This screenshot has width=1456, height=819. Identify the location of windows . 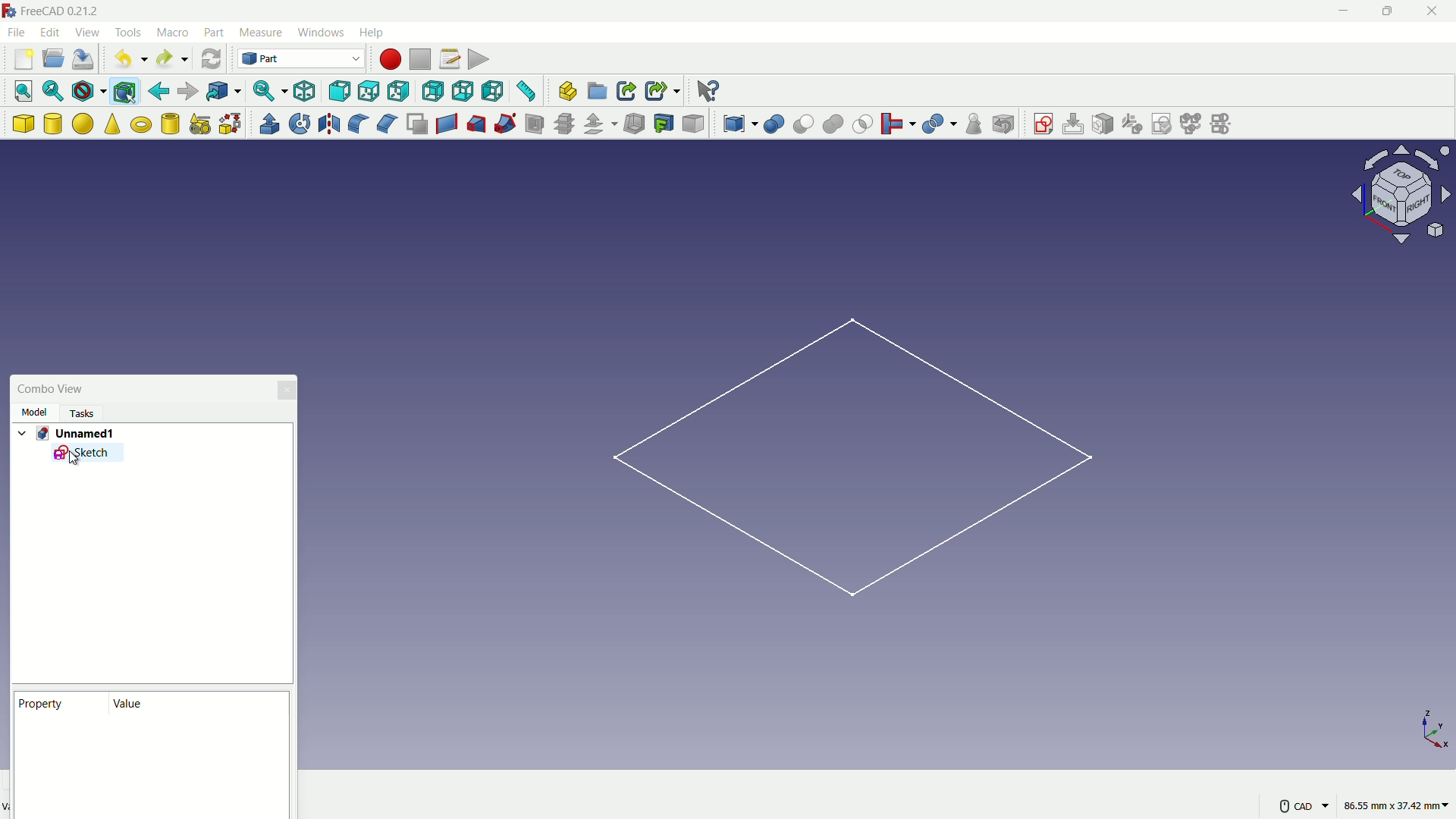
(322, 32).